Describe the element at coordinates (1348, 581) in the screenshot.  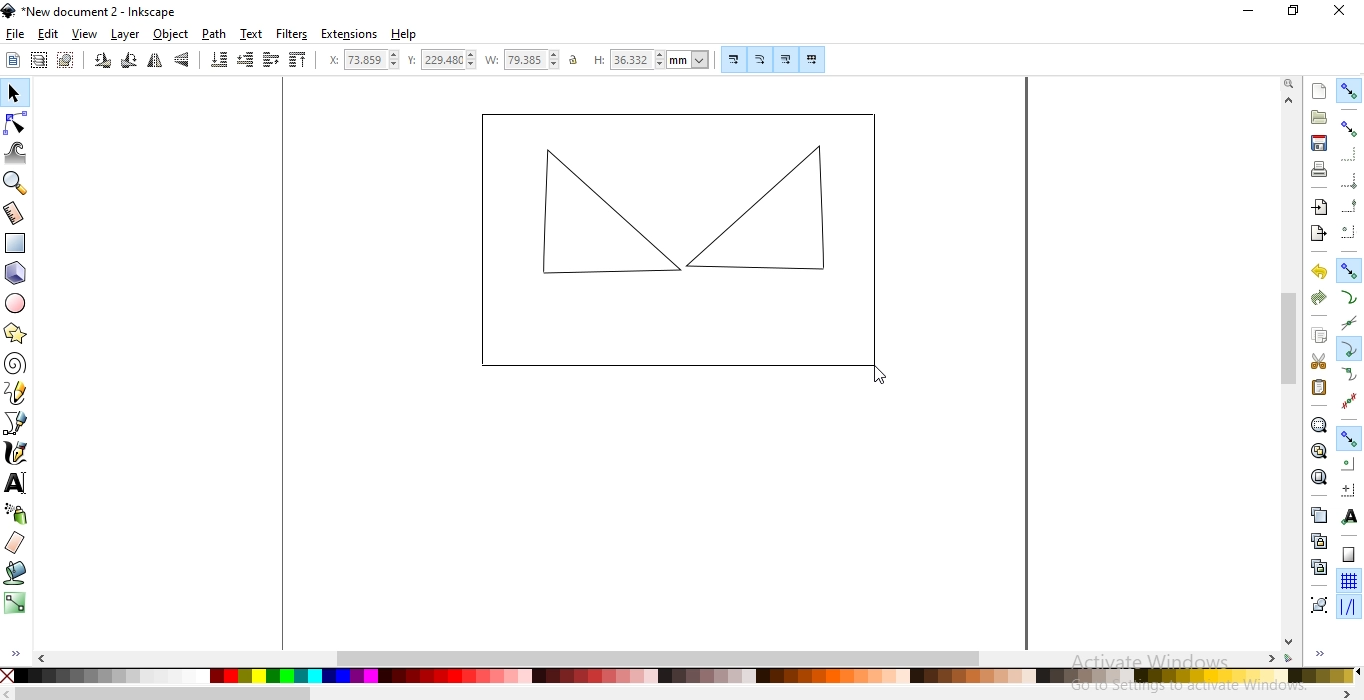
I see `snap to grids` at that location.